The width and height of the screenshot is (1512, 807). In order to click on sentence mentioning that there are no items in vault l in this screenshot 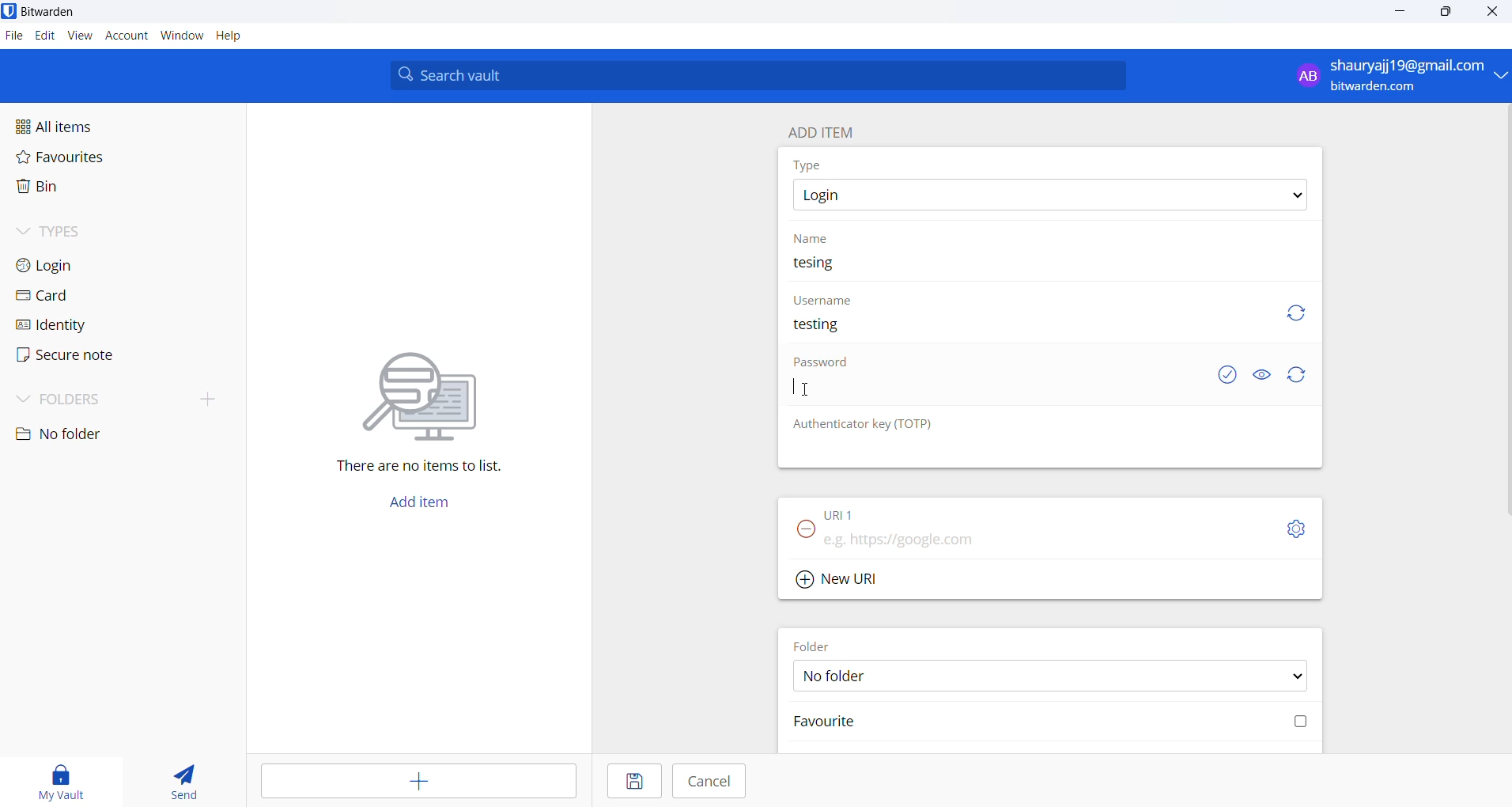, I will do `click(409, 468)`.